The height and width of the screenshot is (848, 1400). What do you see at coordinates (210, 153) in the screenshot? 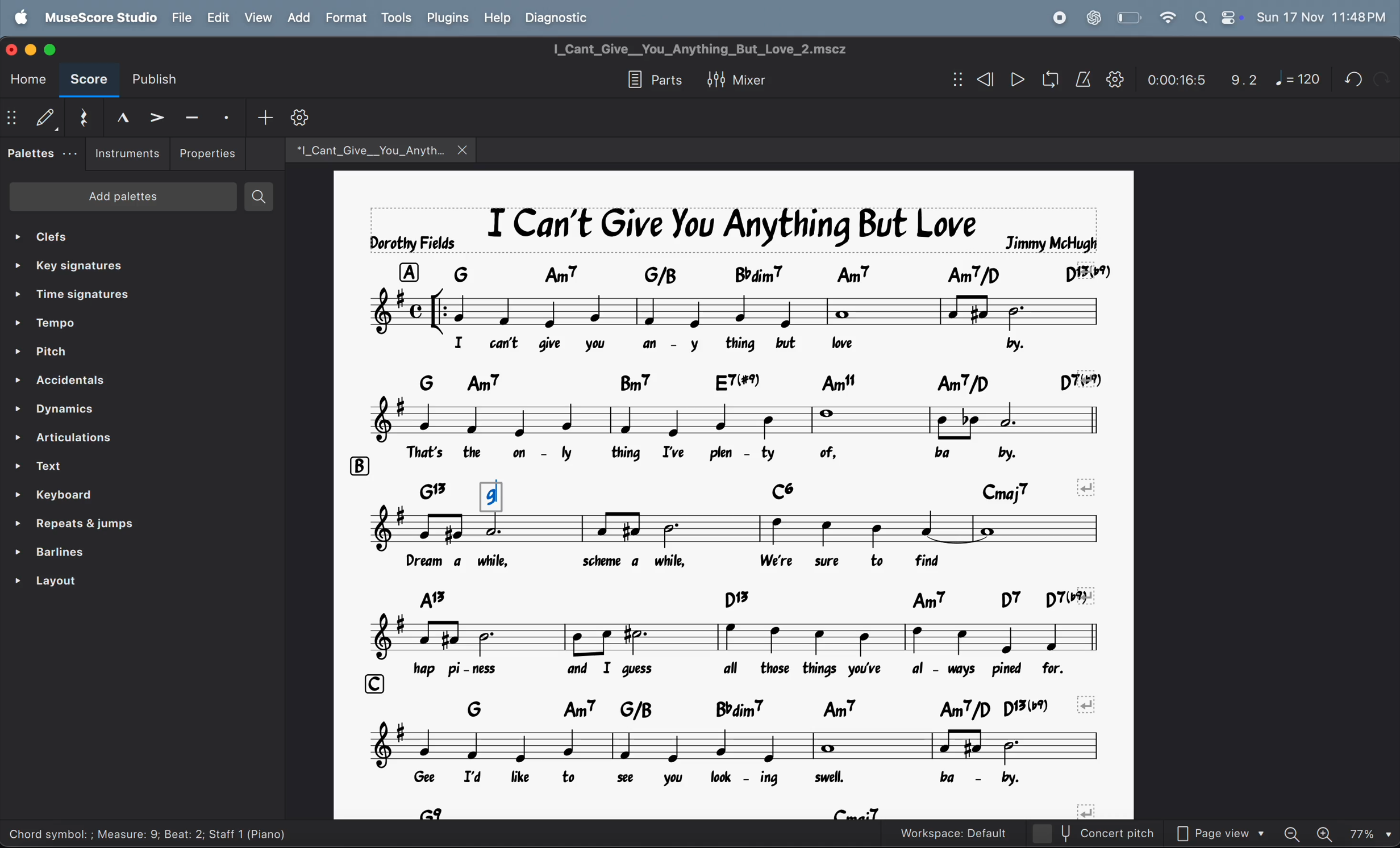
I see `properties` at bounding box center [210, 153].